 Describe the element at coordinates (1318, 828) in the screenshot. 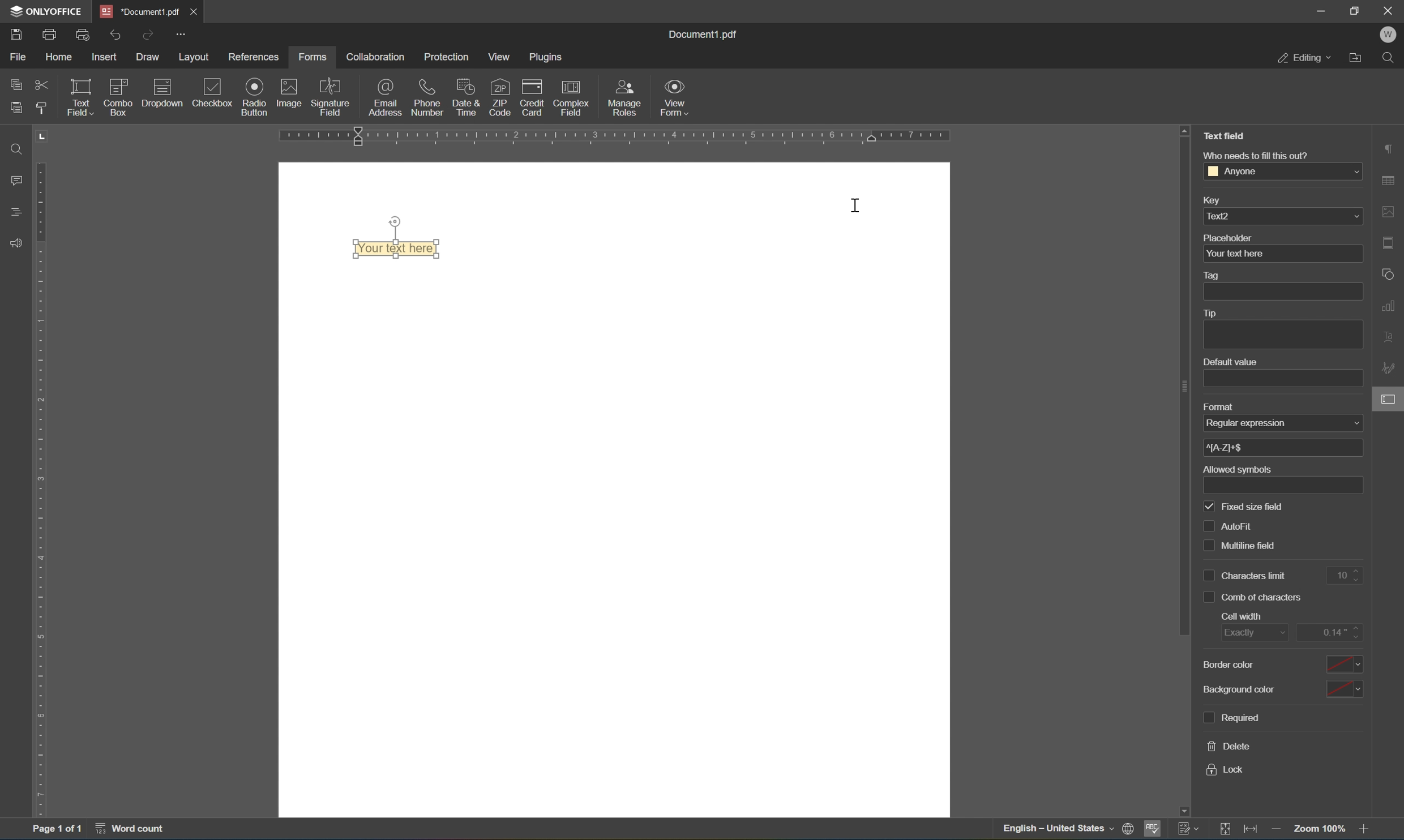

I see `zoom 100%` at that location.